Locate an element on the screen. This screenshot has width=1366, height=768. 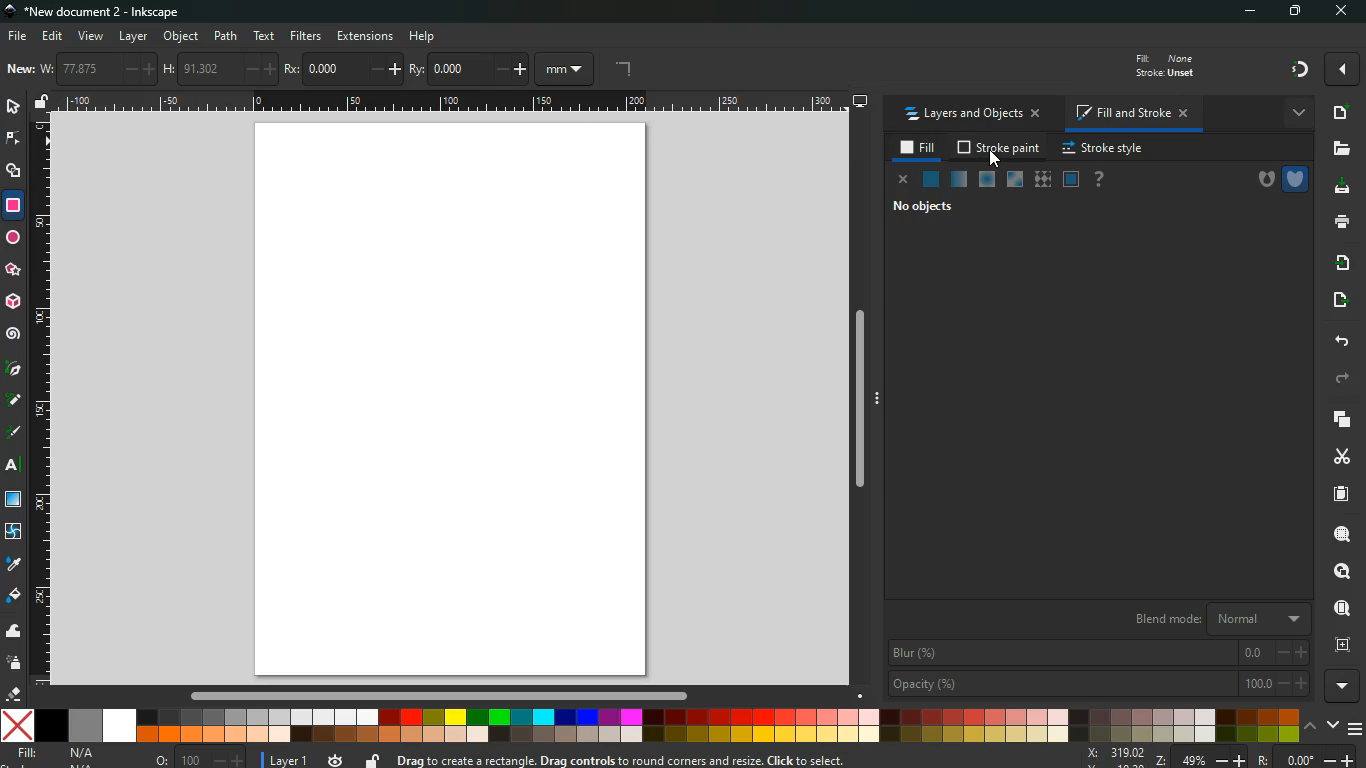
fill and stroke is located at coordinates (1132, 112).